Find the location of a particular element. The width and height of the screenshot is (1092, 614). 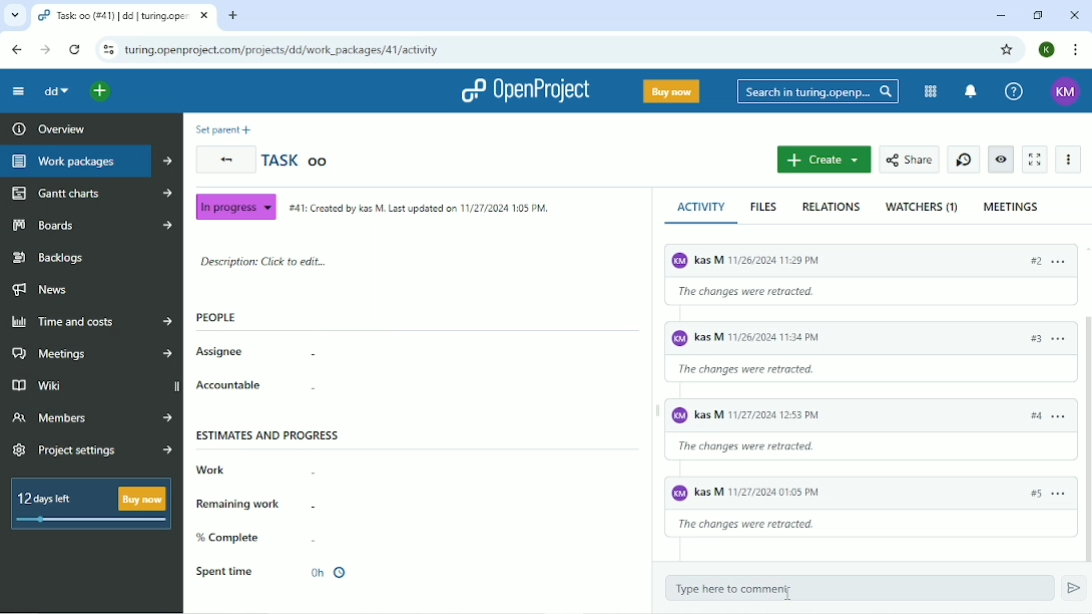

Meetings is located at coordinates (1012, 206).